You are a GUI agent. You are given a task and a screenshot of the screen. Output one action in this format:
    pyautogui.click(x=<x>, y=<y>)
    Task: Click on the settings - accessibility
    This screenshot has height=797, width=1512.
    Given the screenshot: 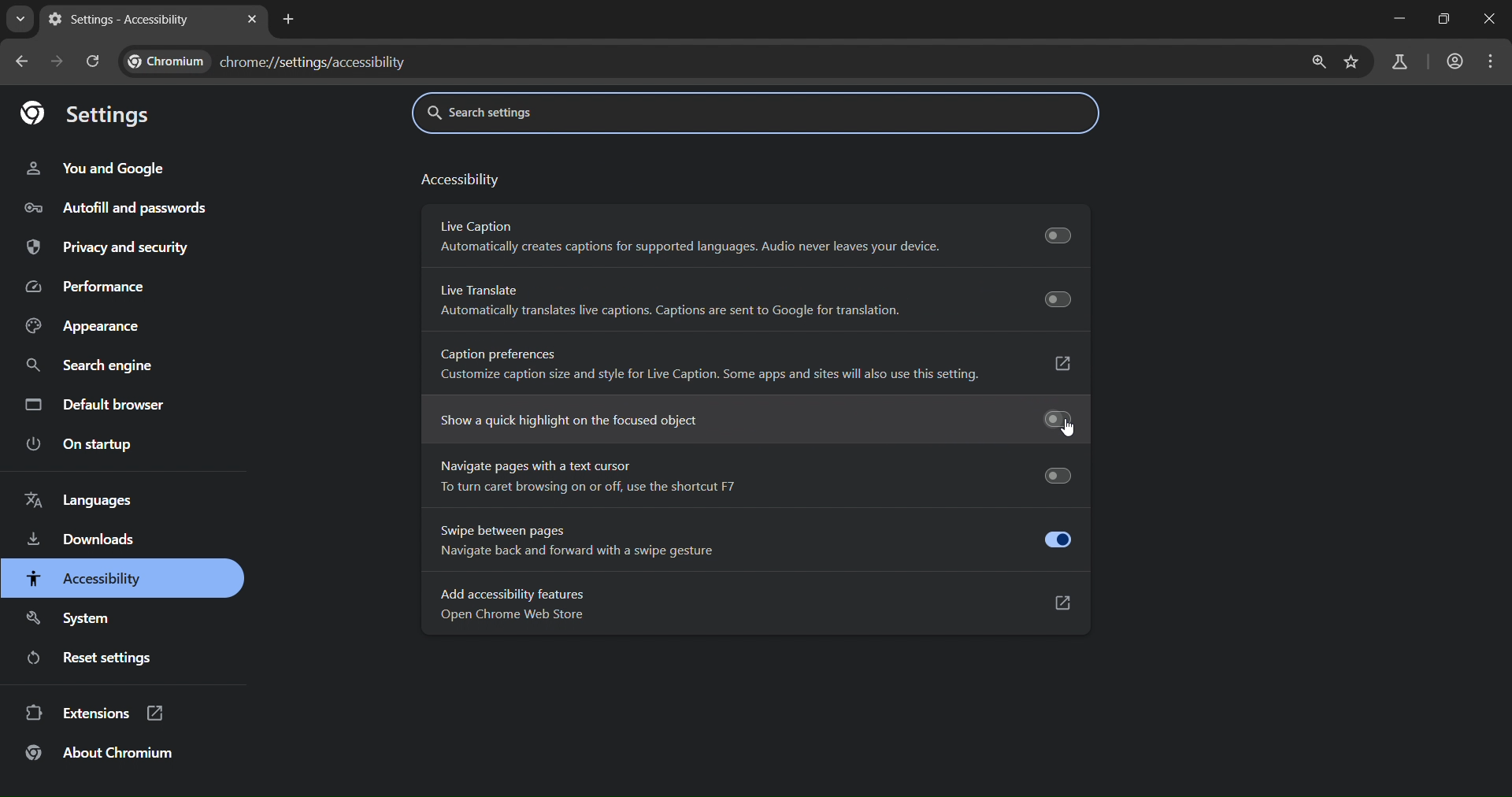 What is the action you would take?
    pyautogui.click(x=125, y=19)
    